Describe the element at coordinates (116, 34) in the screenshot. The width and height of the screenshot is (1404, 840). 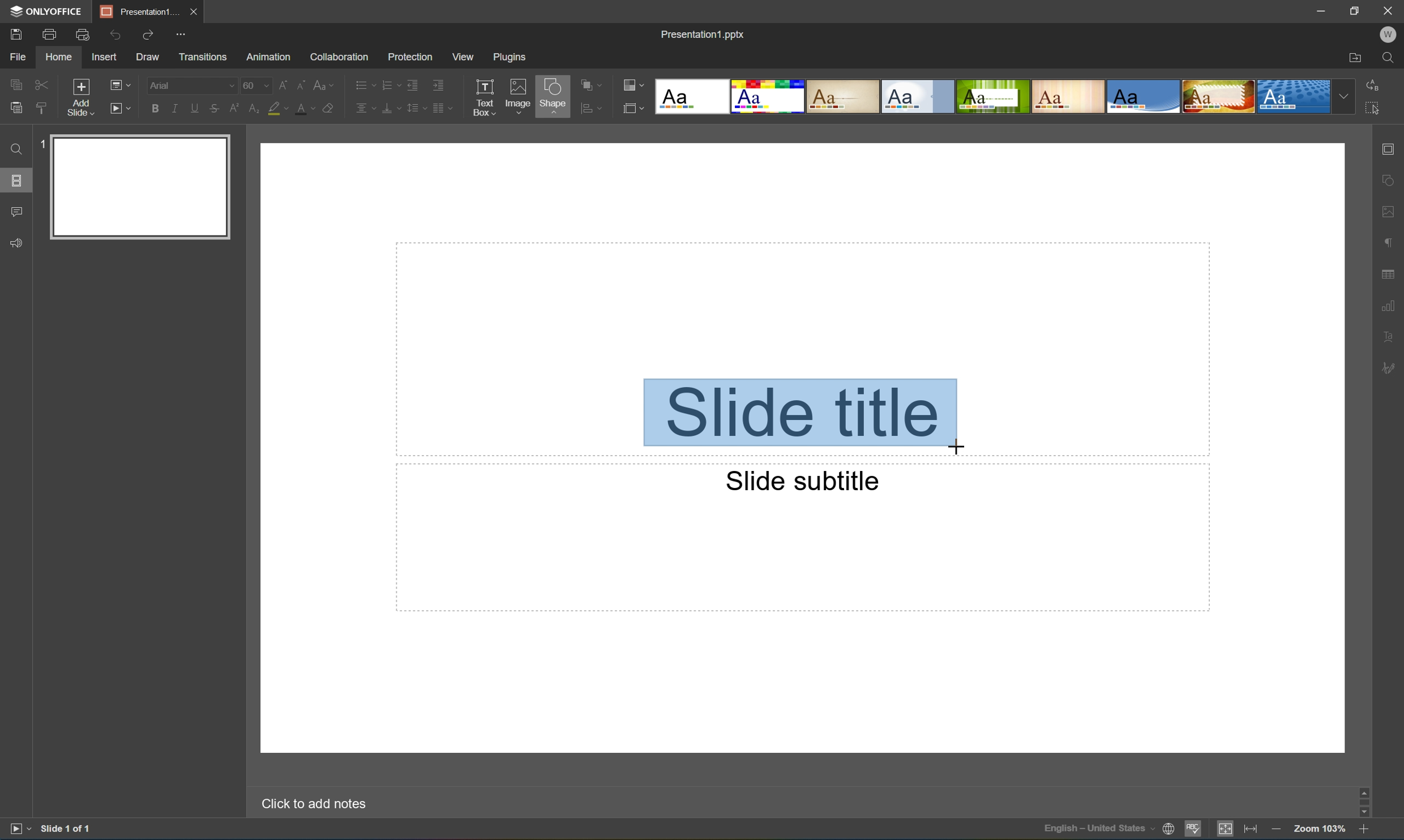
I see `Undo` at that location.